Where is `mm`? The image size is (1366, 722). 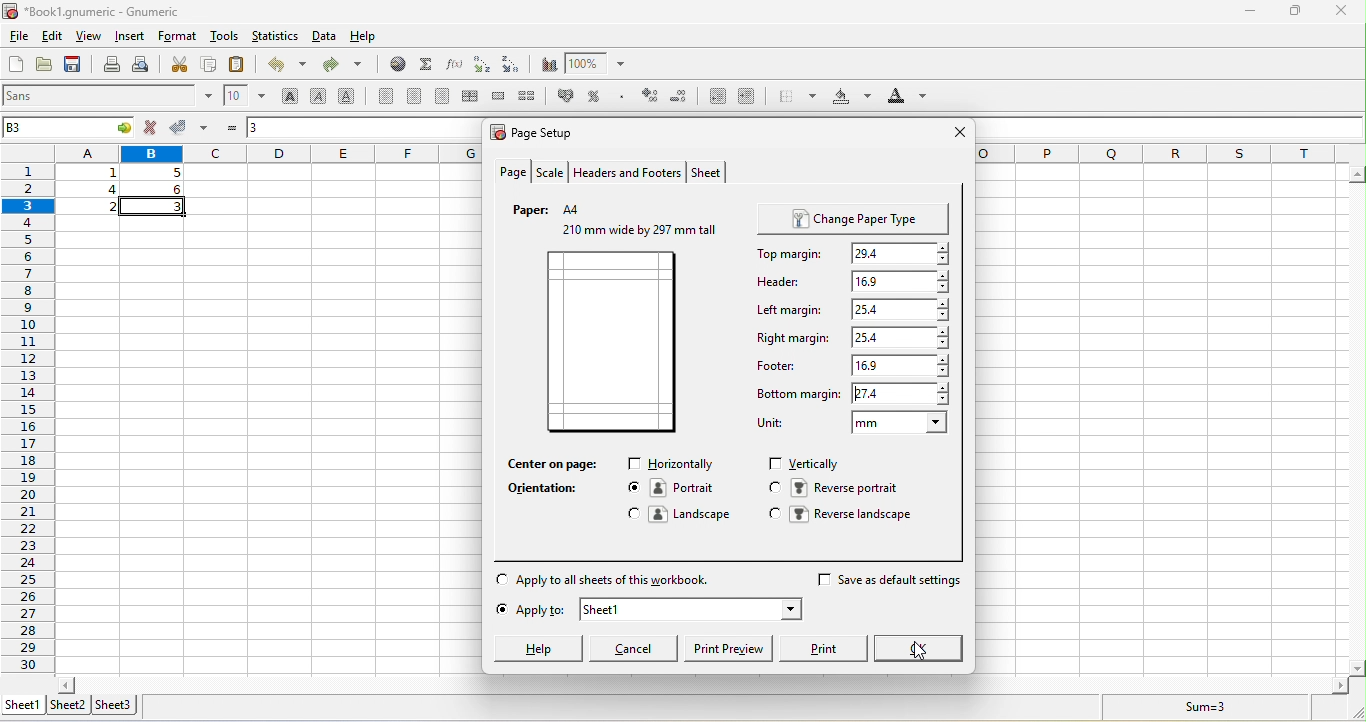
mm is located at coordinates (898, 424).